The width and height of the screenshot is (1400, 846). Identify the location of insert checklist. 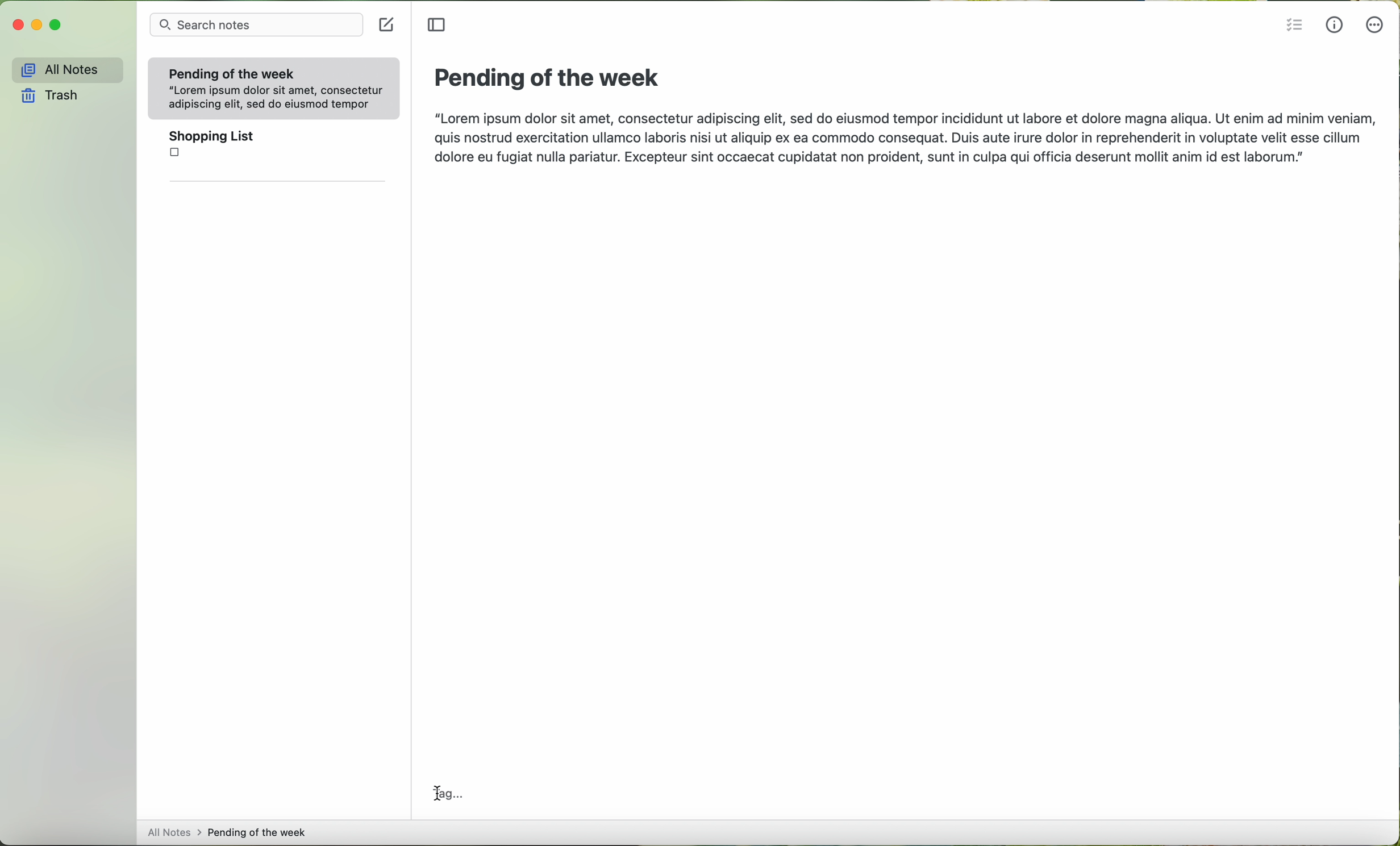
(1293, 26).